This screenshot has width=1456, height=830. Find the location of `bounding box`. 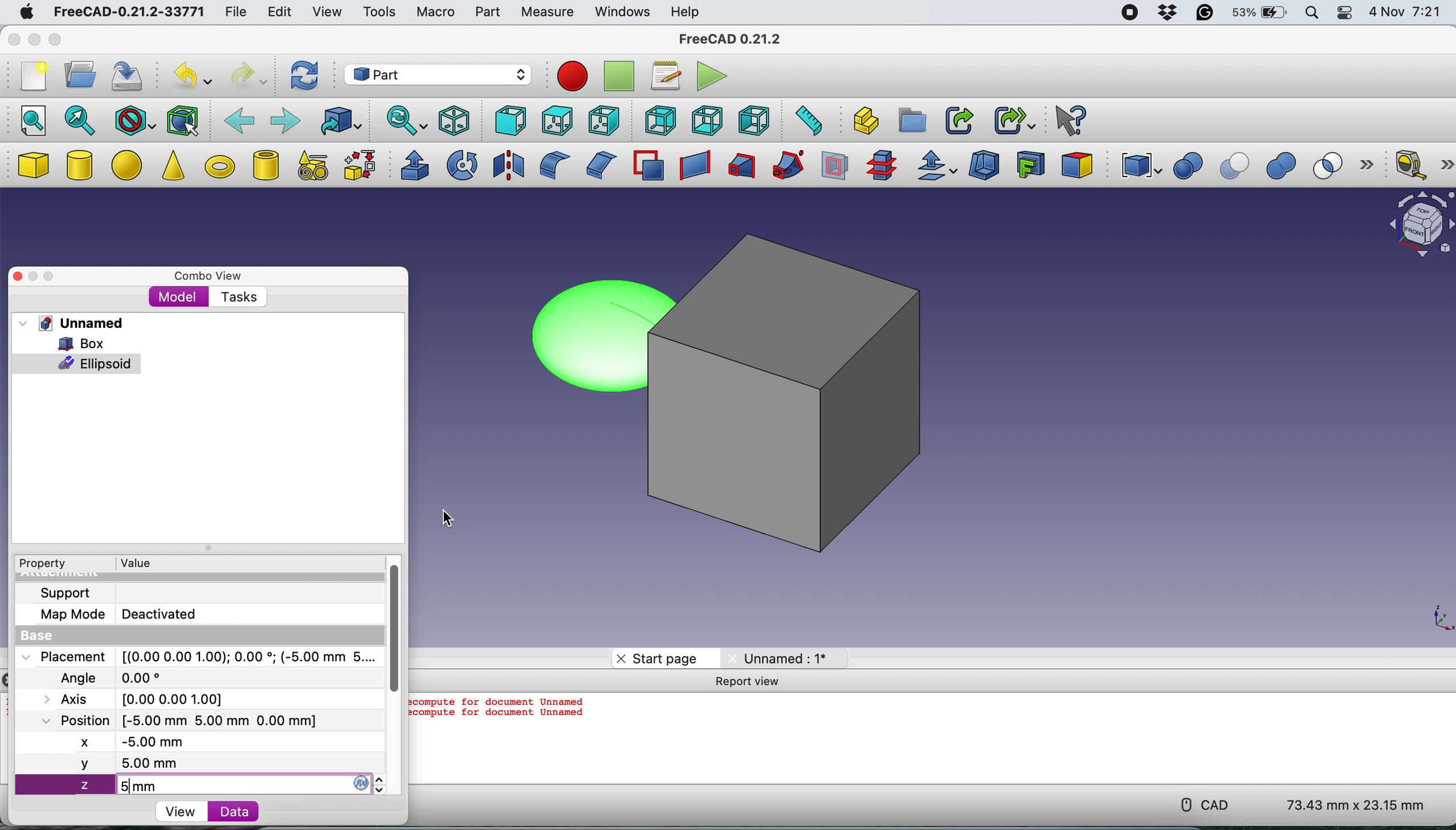

bounding box is located at coordinates (183, 120).